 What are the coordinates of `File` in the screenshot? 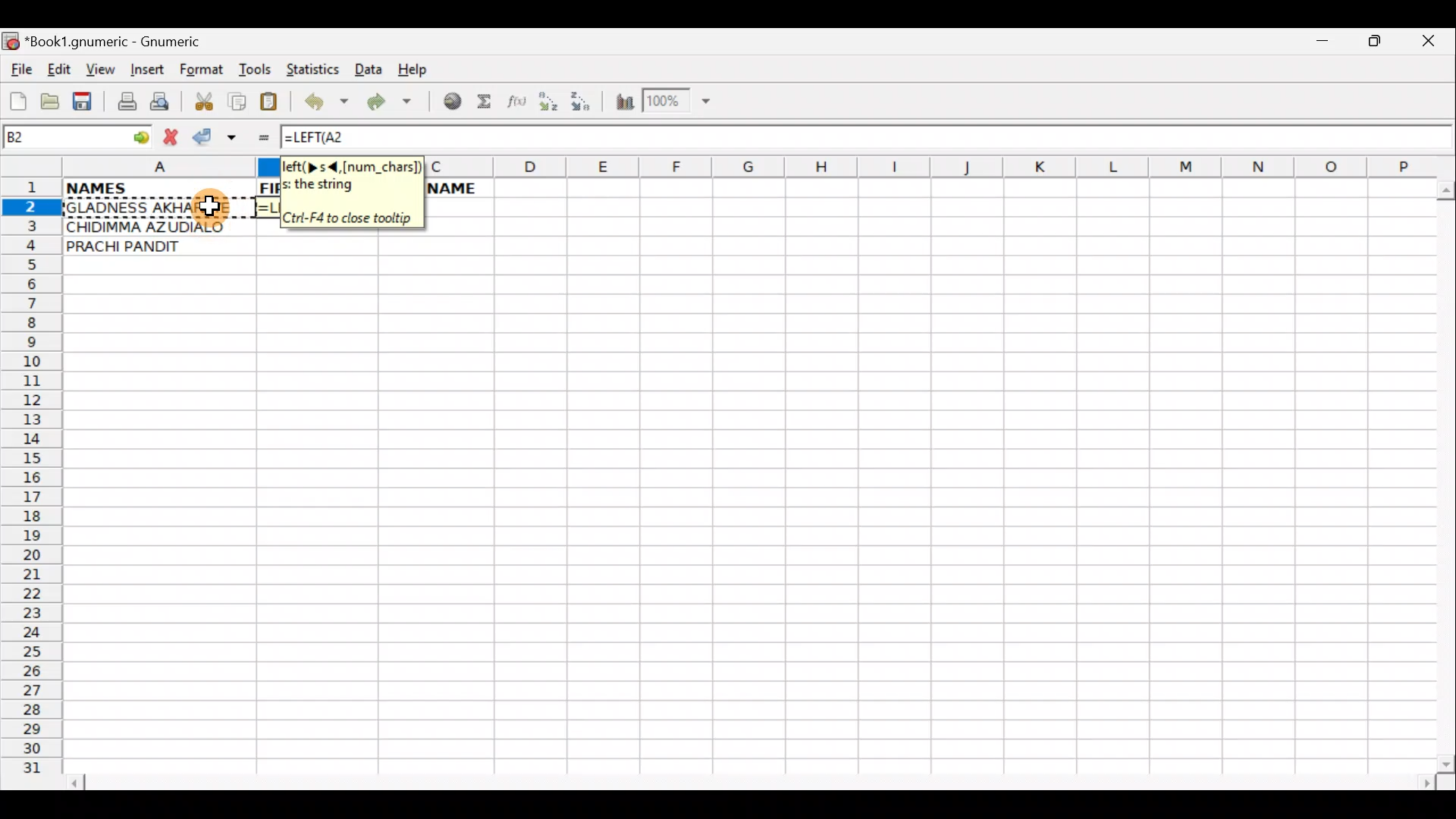 It's located at (20, 71).